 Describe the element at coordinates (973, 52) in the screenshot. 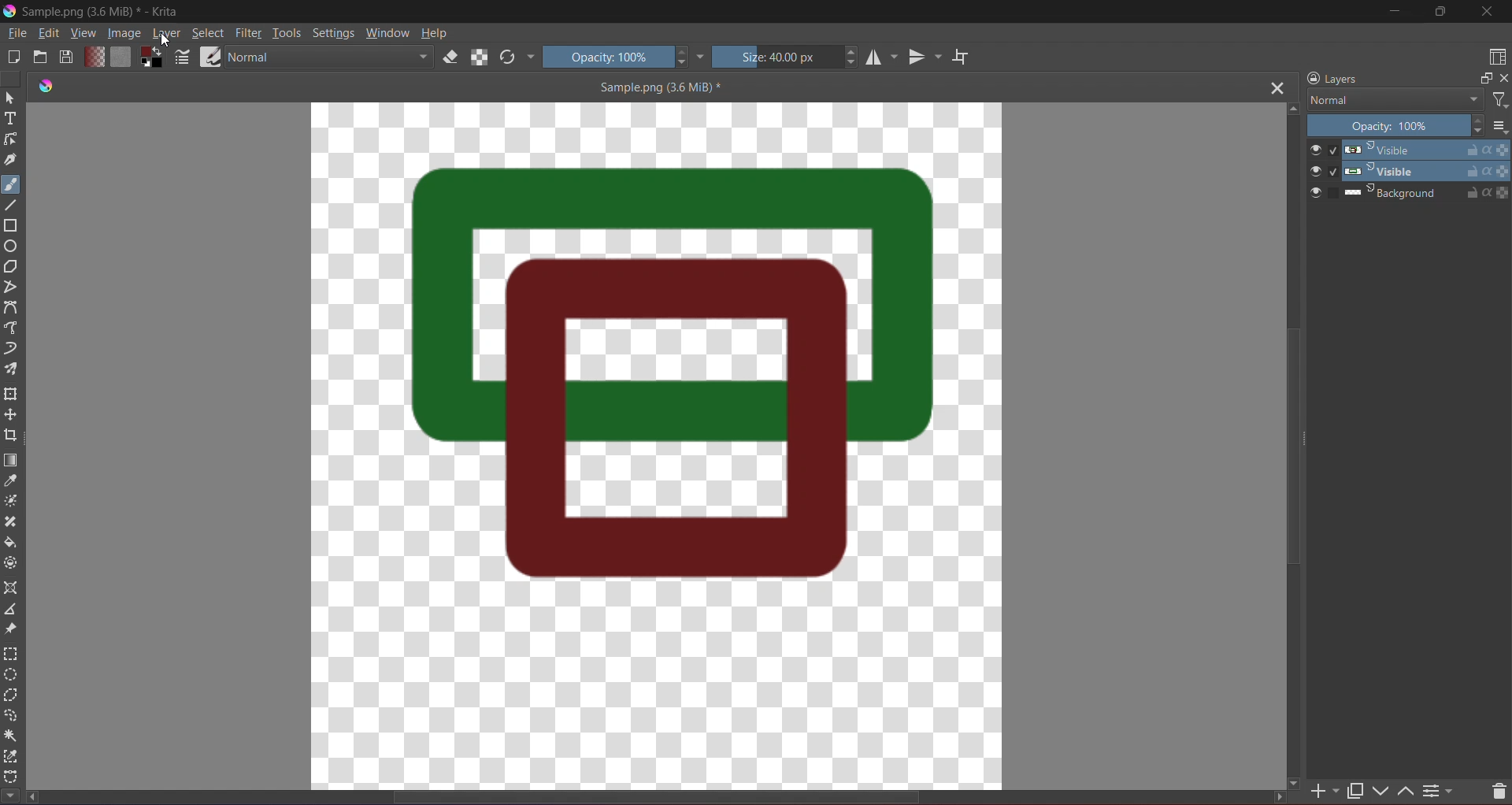

I see `Wrap Around Mode` at that location.